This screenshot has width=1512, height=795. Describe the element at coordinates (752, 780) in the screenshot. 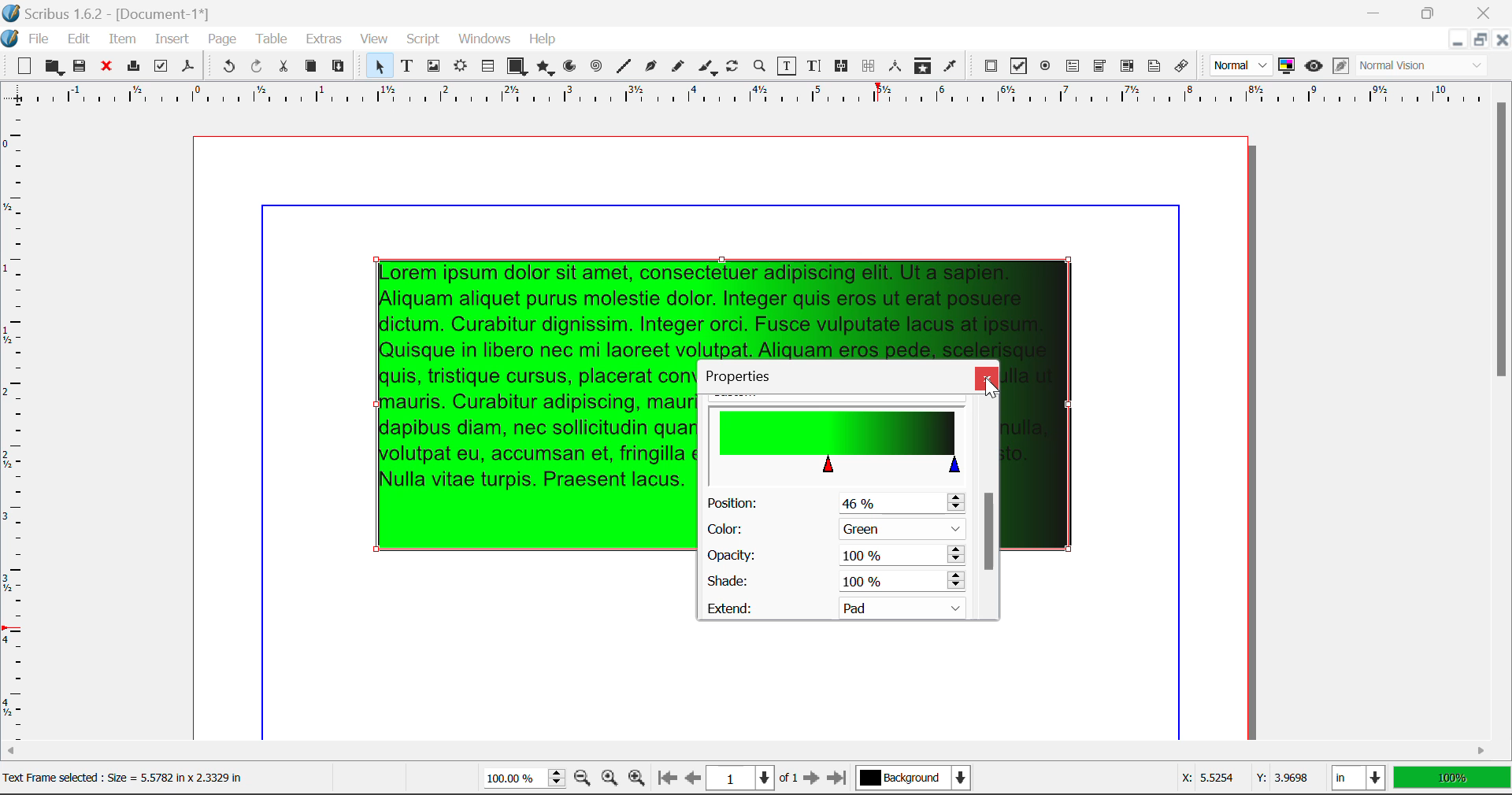

I see `Page 1 of 1` at that location.